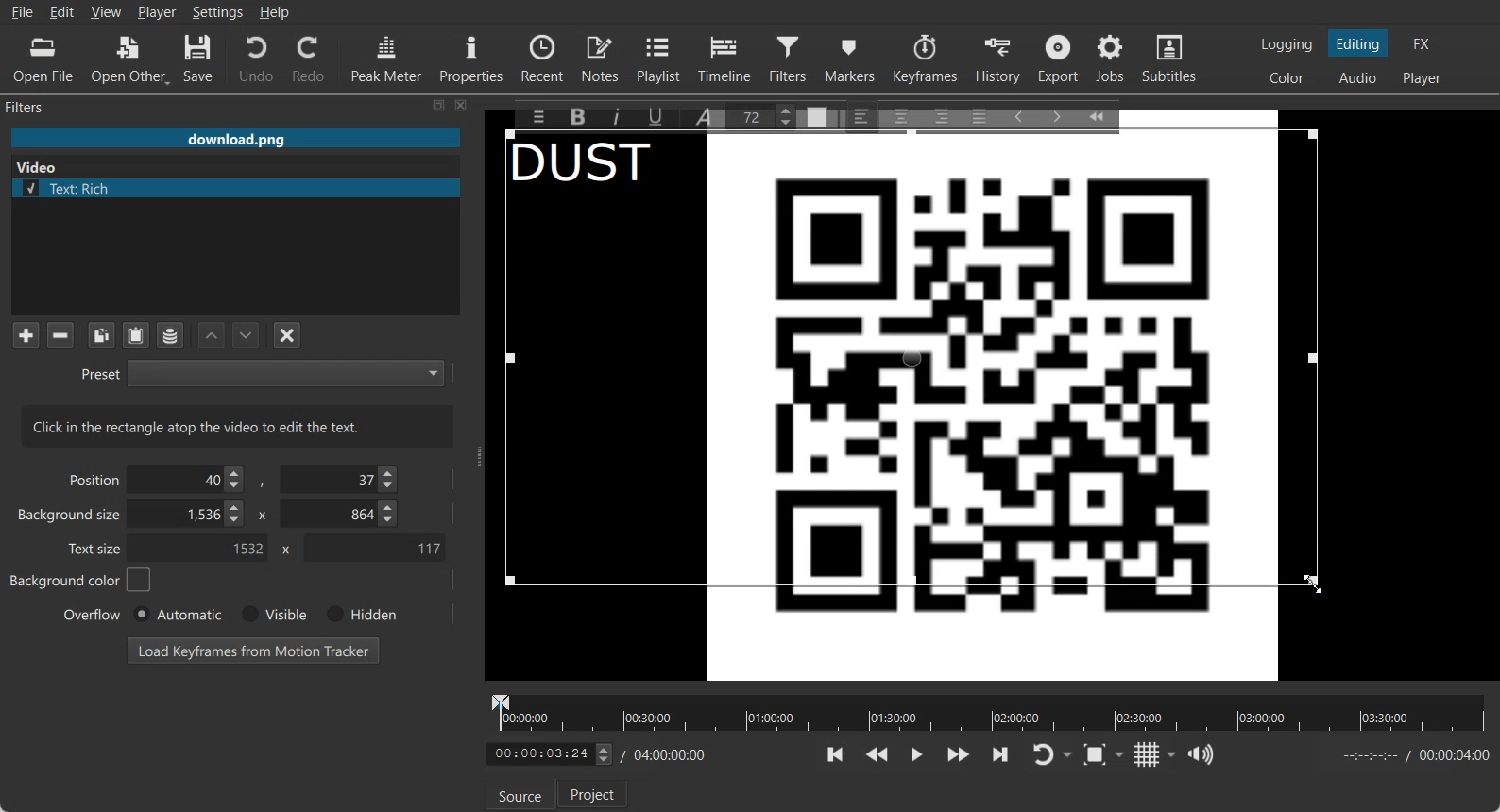  Describe the element at coordinates (791, 58) in the screenshot. I see `Filters` at that location.